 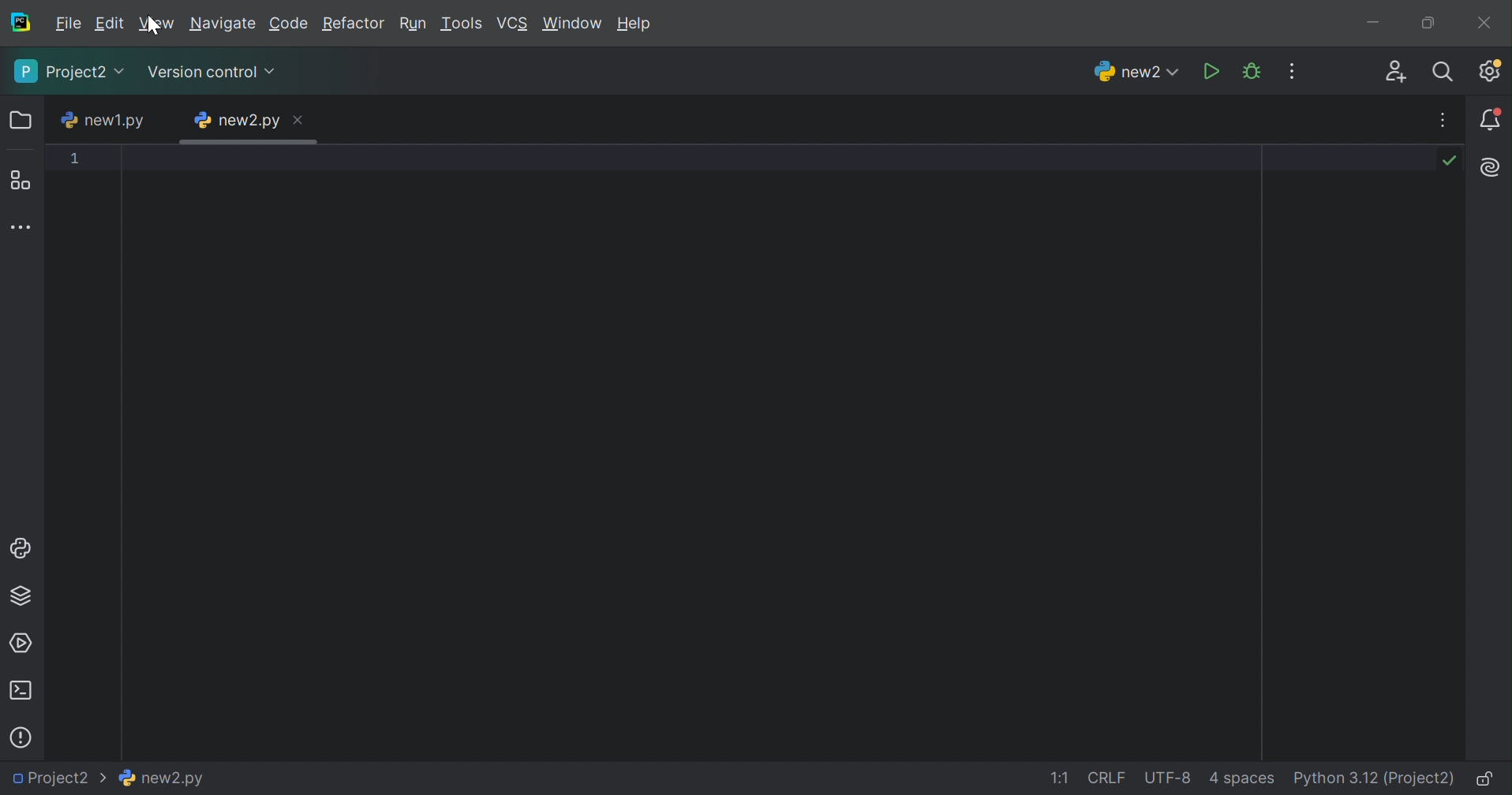 What do you see at coordinates (301, 121) in the screenshot?
I see `Close` at bounding box center [301, 121].